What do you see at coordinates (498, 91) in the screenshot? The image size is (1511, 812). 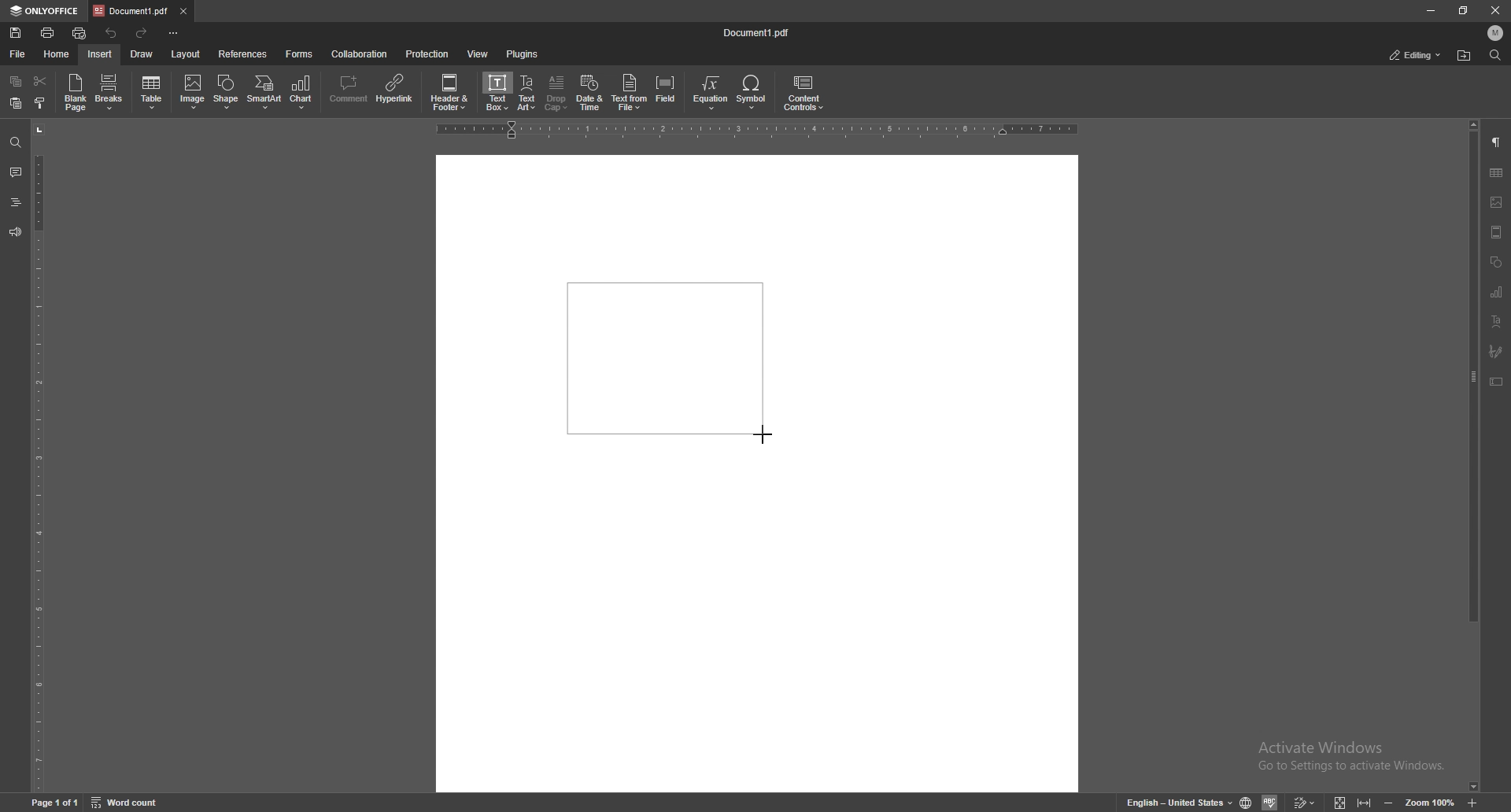 I see `text box` at bounding box center [498, 91].